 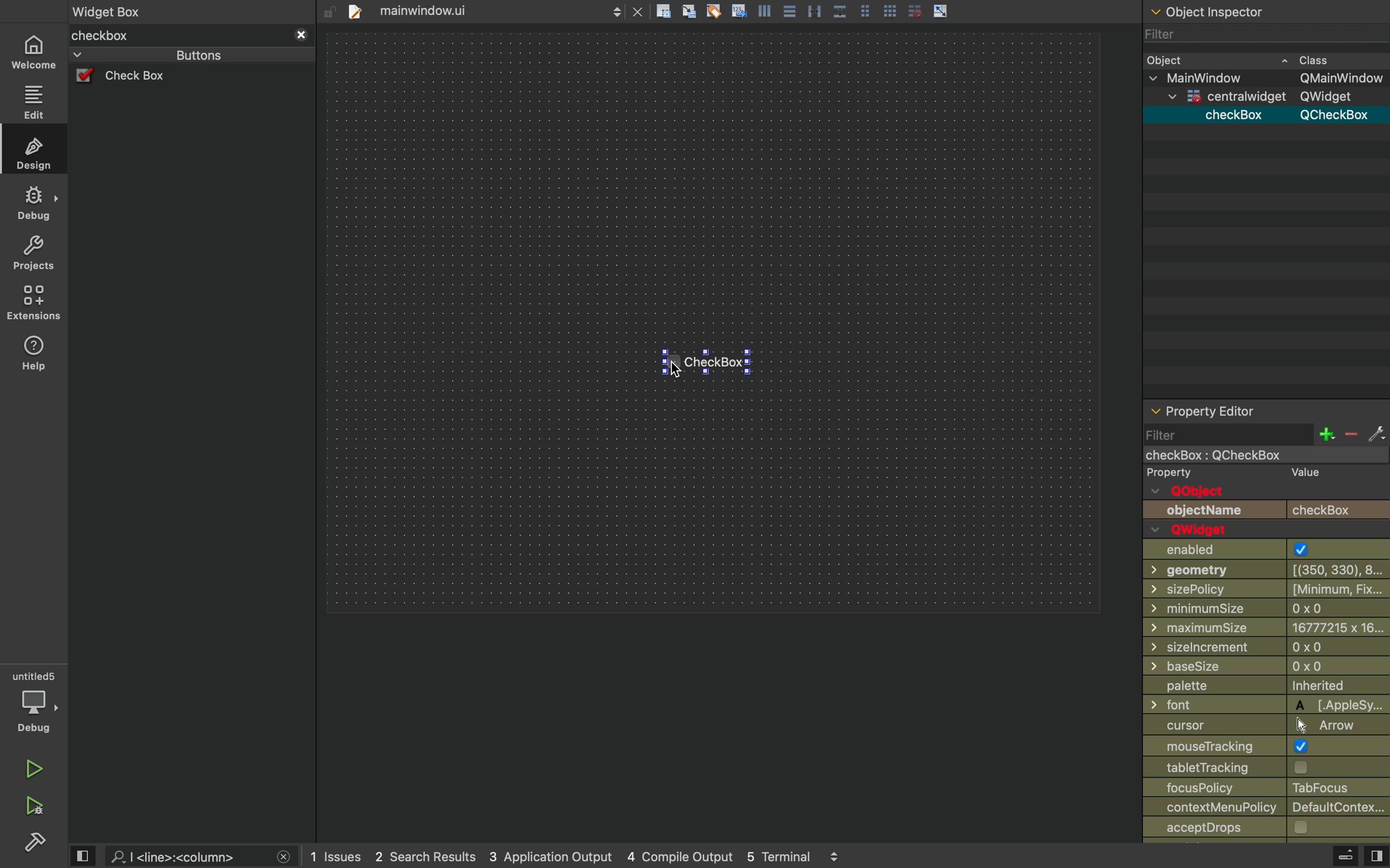 I want to click on qwidget, so click(x=1198, y=530).